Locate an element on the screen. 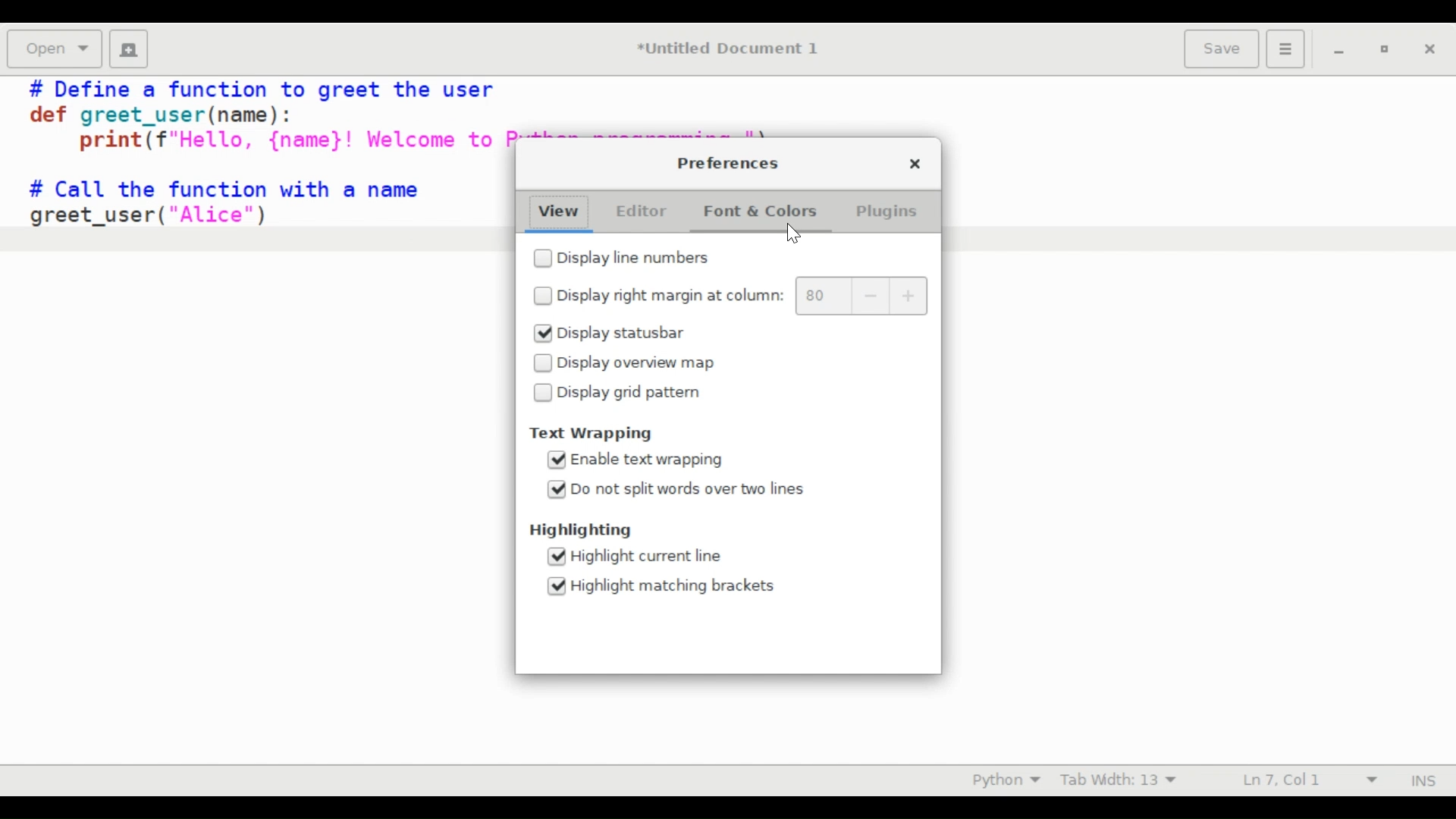  Restore is located at coordinates (1383, 49).